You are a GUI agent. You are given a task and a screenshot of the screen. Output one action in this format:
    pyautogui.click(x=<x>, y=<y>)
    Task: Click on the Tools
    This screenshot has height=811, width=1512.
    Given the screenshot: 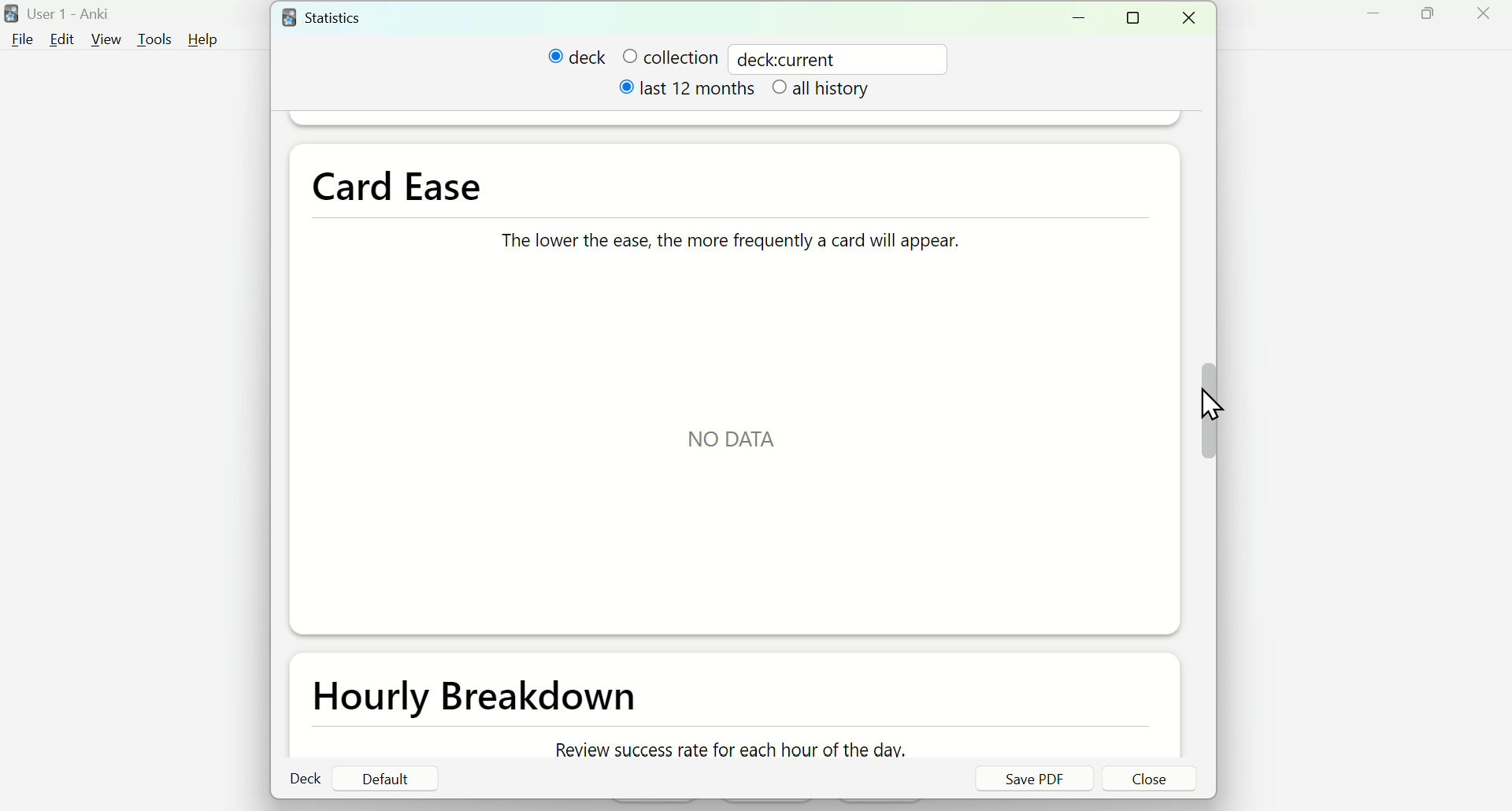 What is the action you would take?
    pyautogui.click(x=151, y=37)
    